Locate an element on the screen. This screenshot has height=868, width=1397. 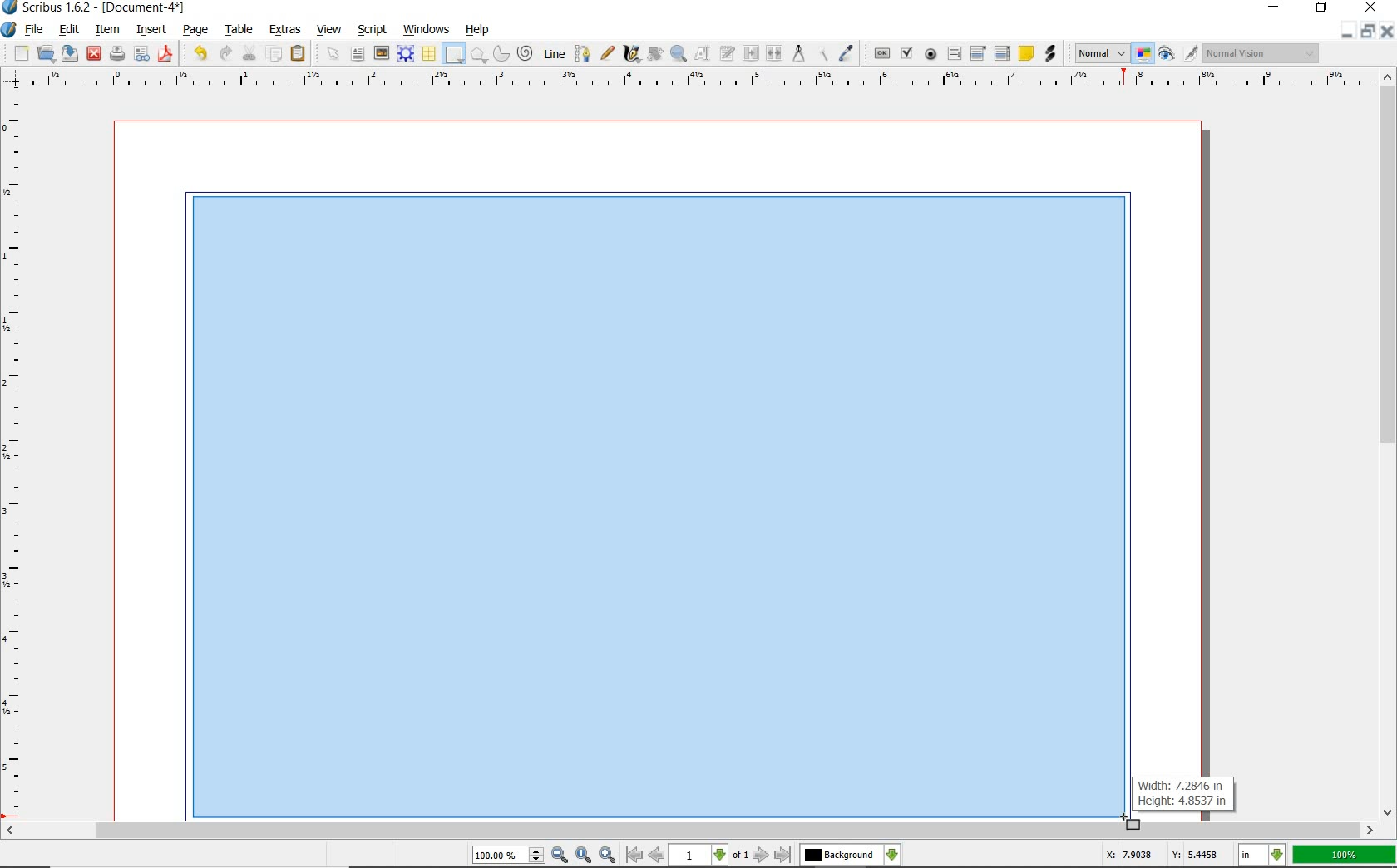
preflight verifier is located at coordinates (142, 54).